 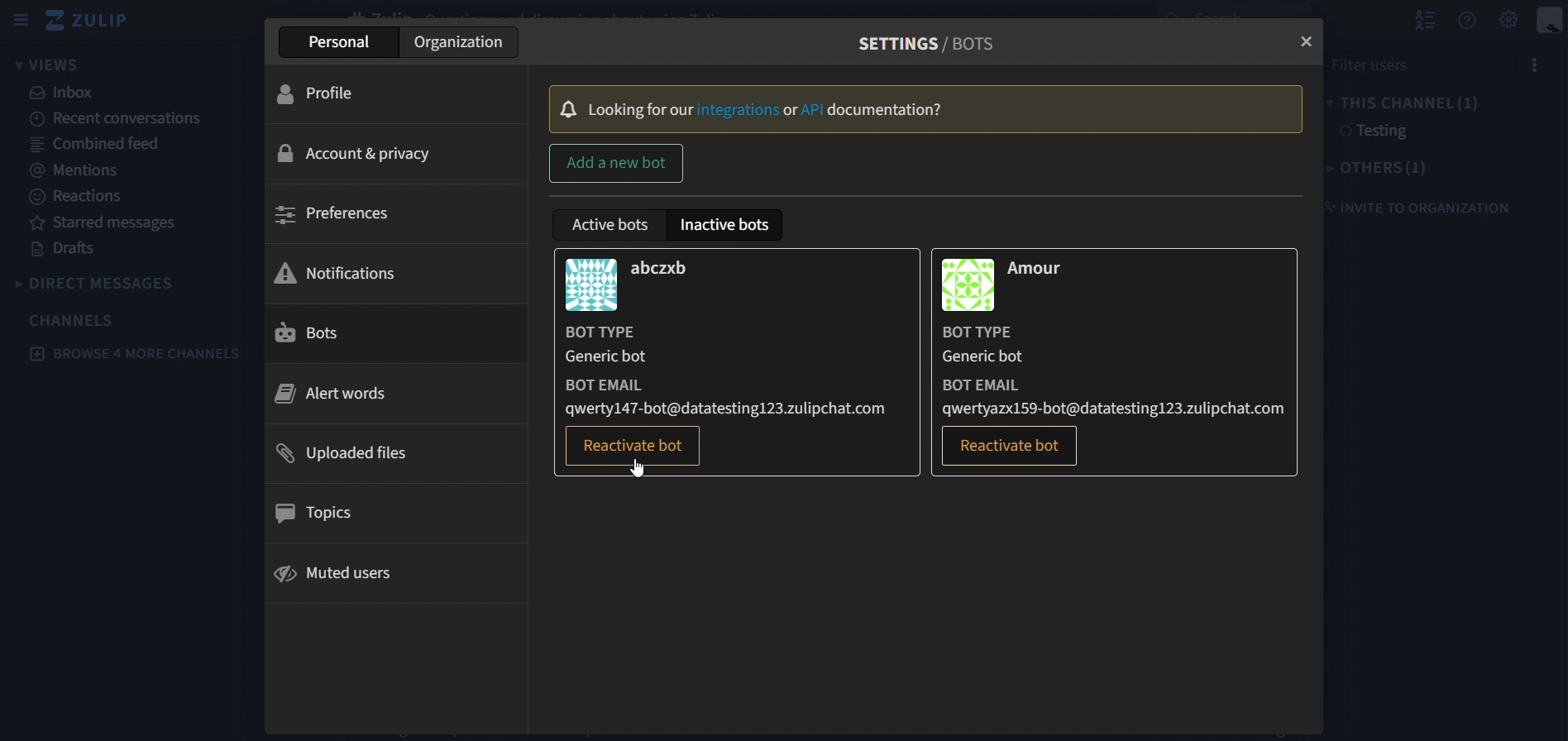 What do you see at coordinates (566, 108) in the screenshot?
I see `Bell Icon` at bounding box center [566, 108].